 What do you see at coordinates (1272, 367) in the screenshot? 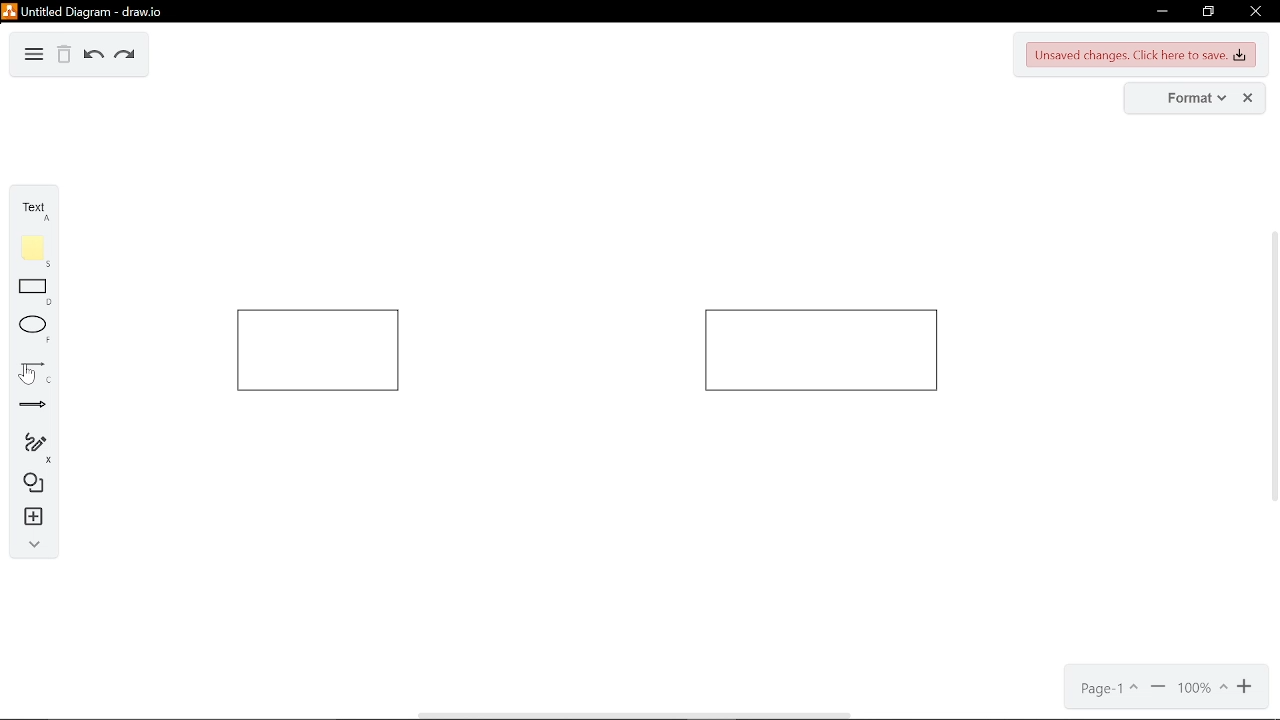
I see `vertical scrollbar` at bounding box center [1272, 367].